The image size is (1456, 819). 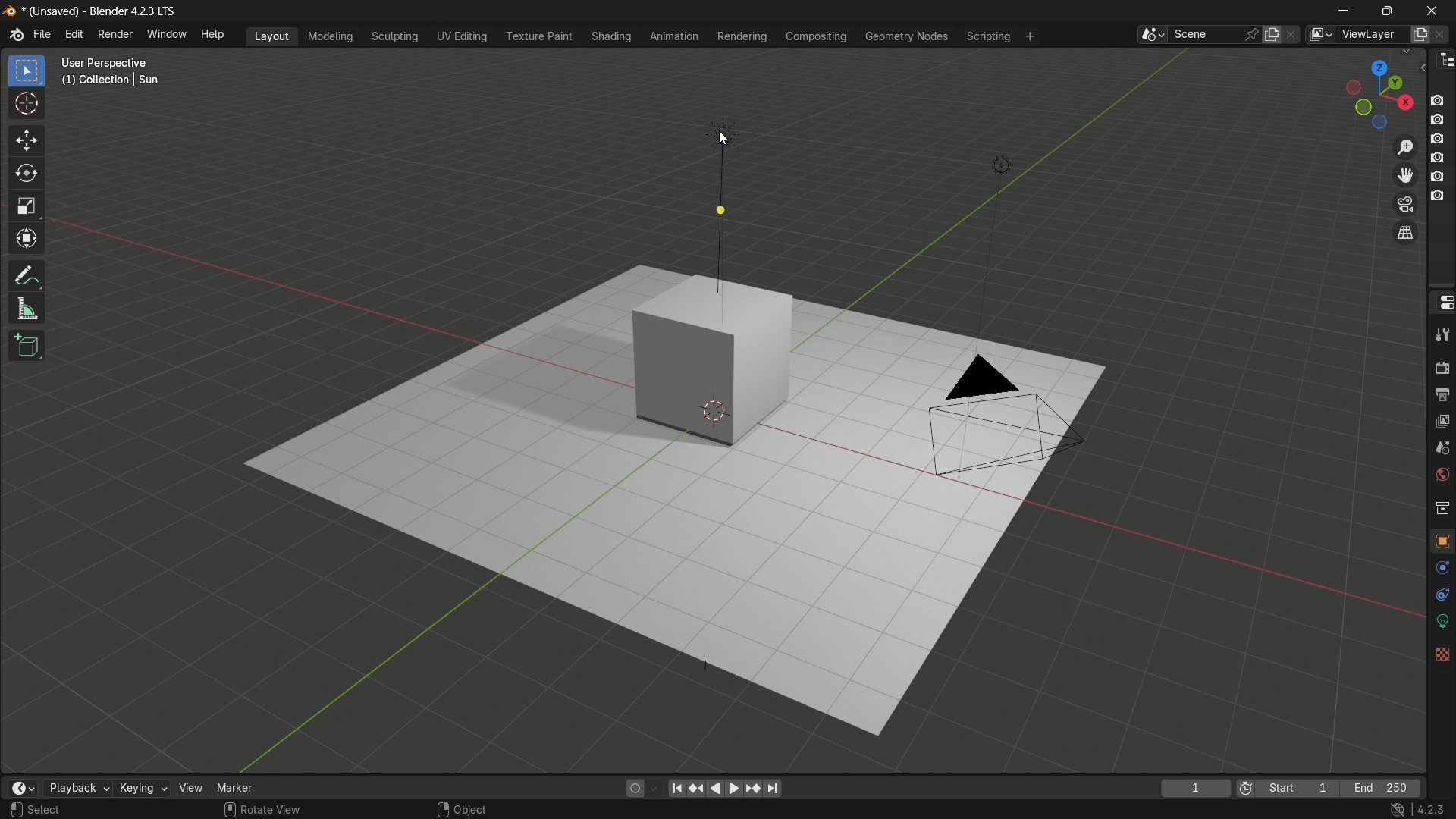 I want to click on User Perspective, so click(x=109, y=63).